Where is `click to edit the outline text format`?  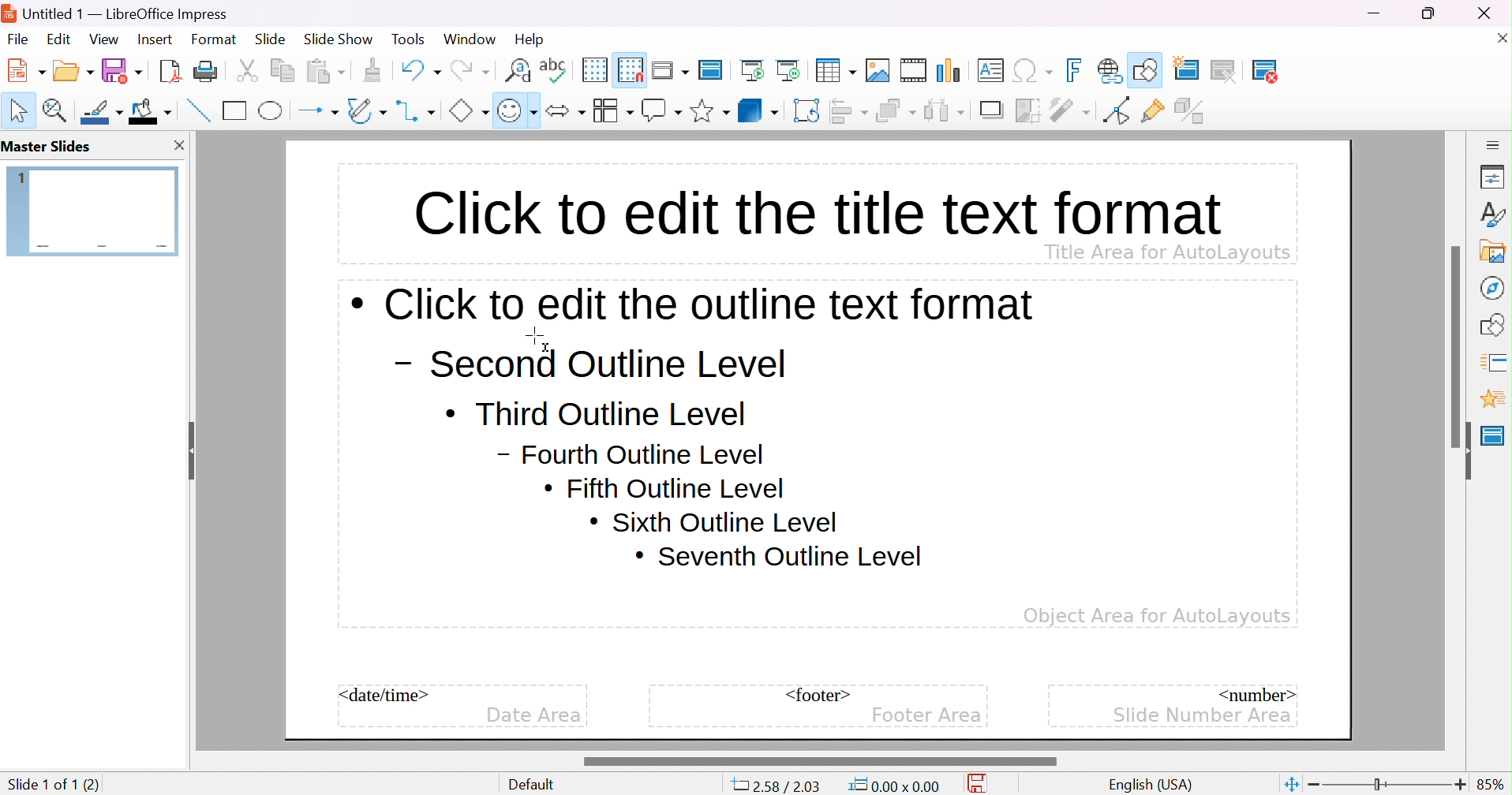
click to edit the outline text format is located at coordinates (694, 304).